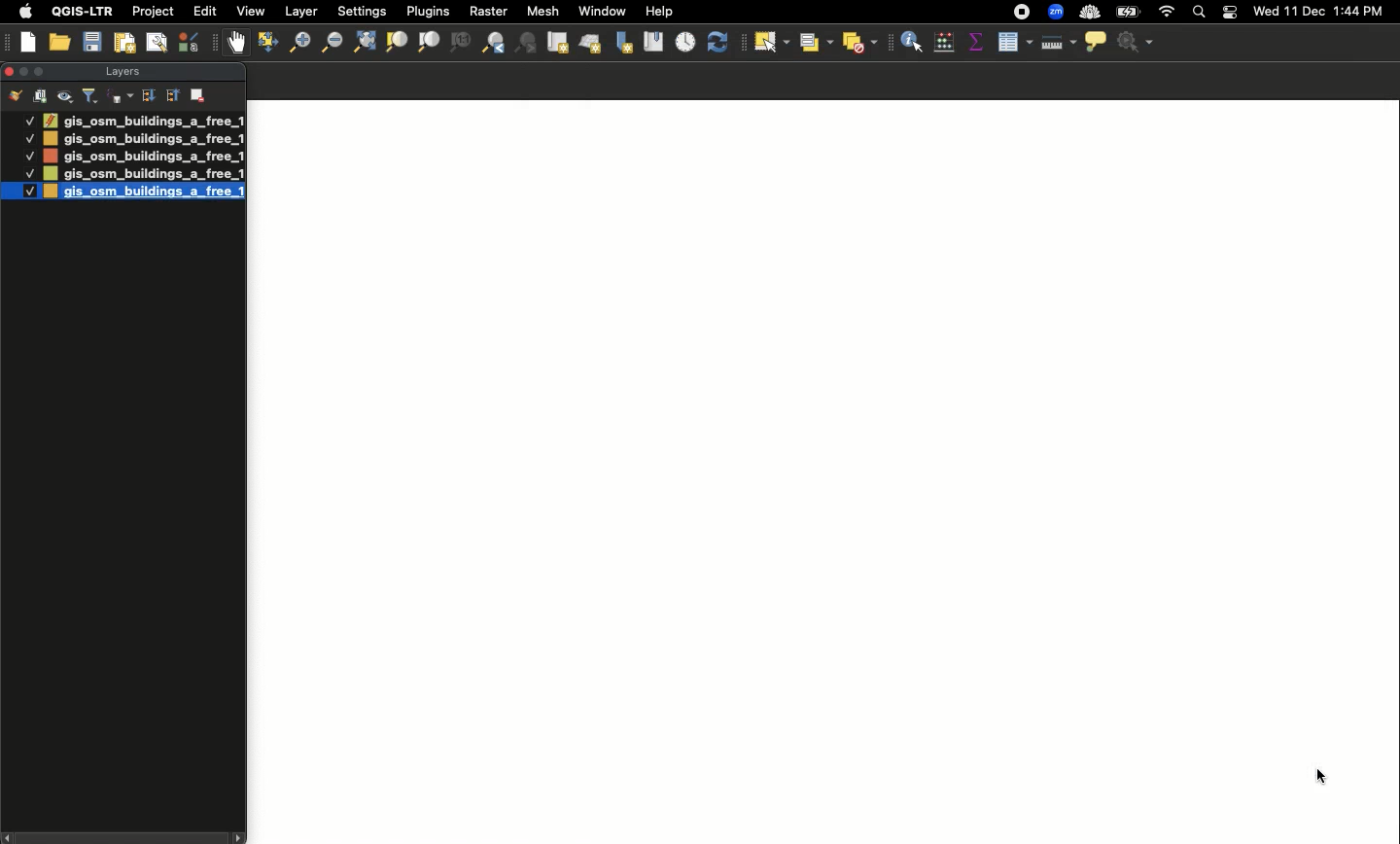  What do you see at coordinates (28, 120) in the screenshot?
I see `Checked` at bounding box center [28, 120].